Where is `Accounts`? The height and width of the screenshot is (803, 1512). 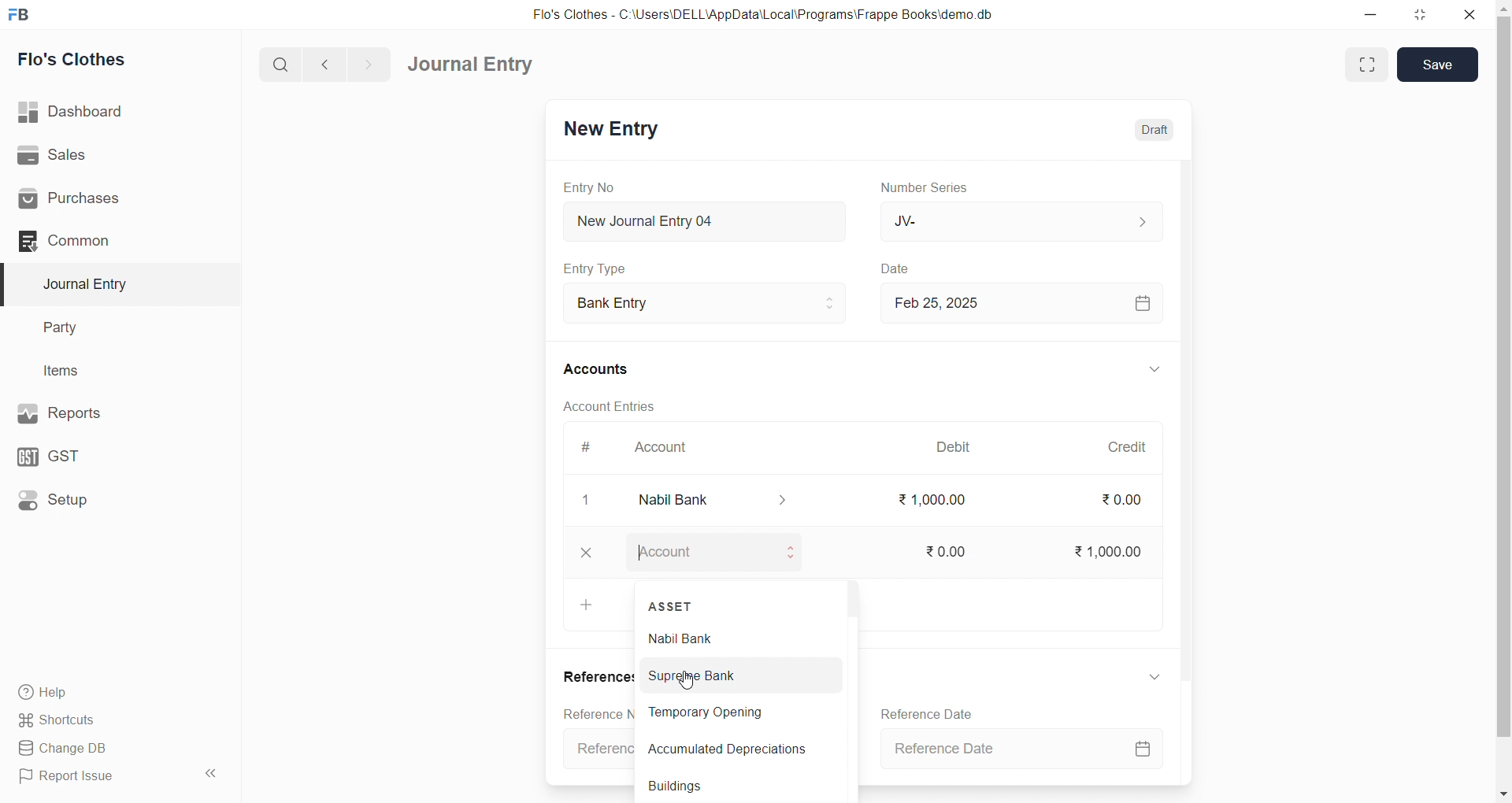 Accounts is located at coordinates (614, 368).